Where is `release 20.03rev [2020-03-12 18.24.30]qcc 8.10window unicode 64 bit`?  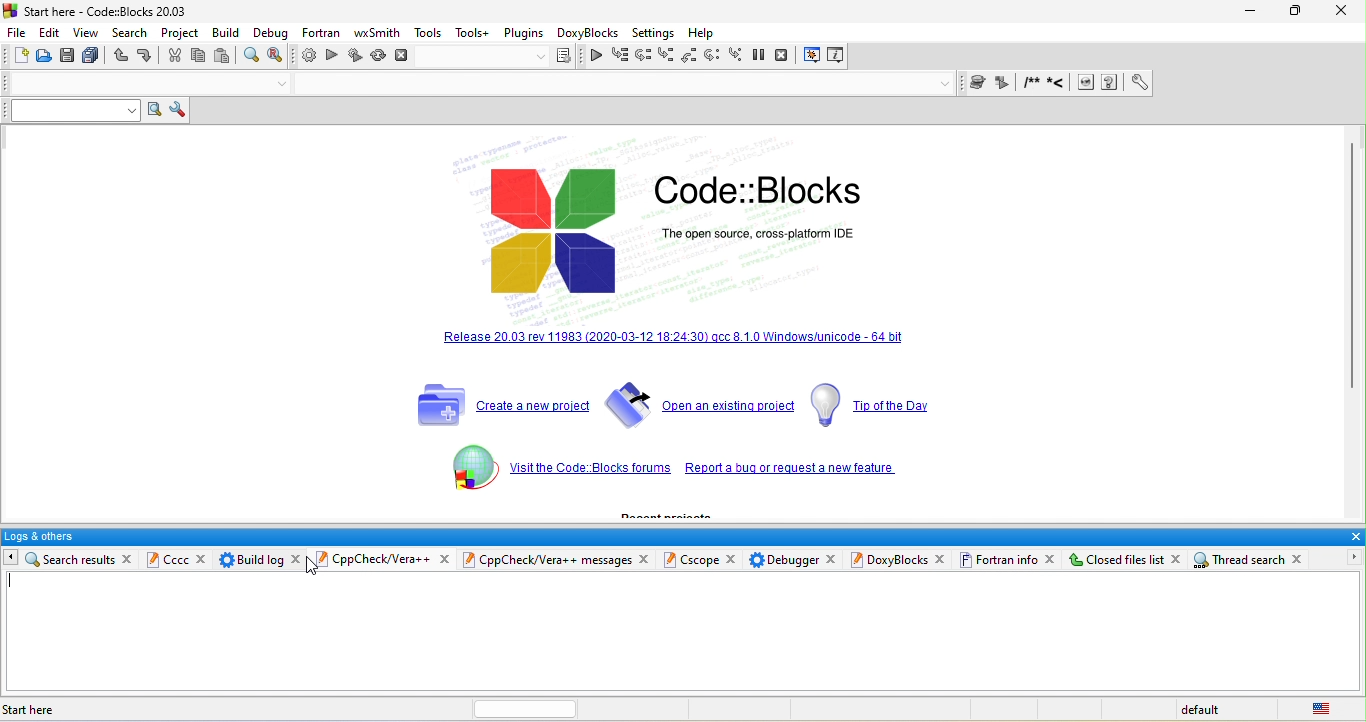 release 20.03rev [2020-03-12 18.24.30]qcc 8.10window unicode 64 bit is located at coordinates (676, 350).